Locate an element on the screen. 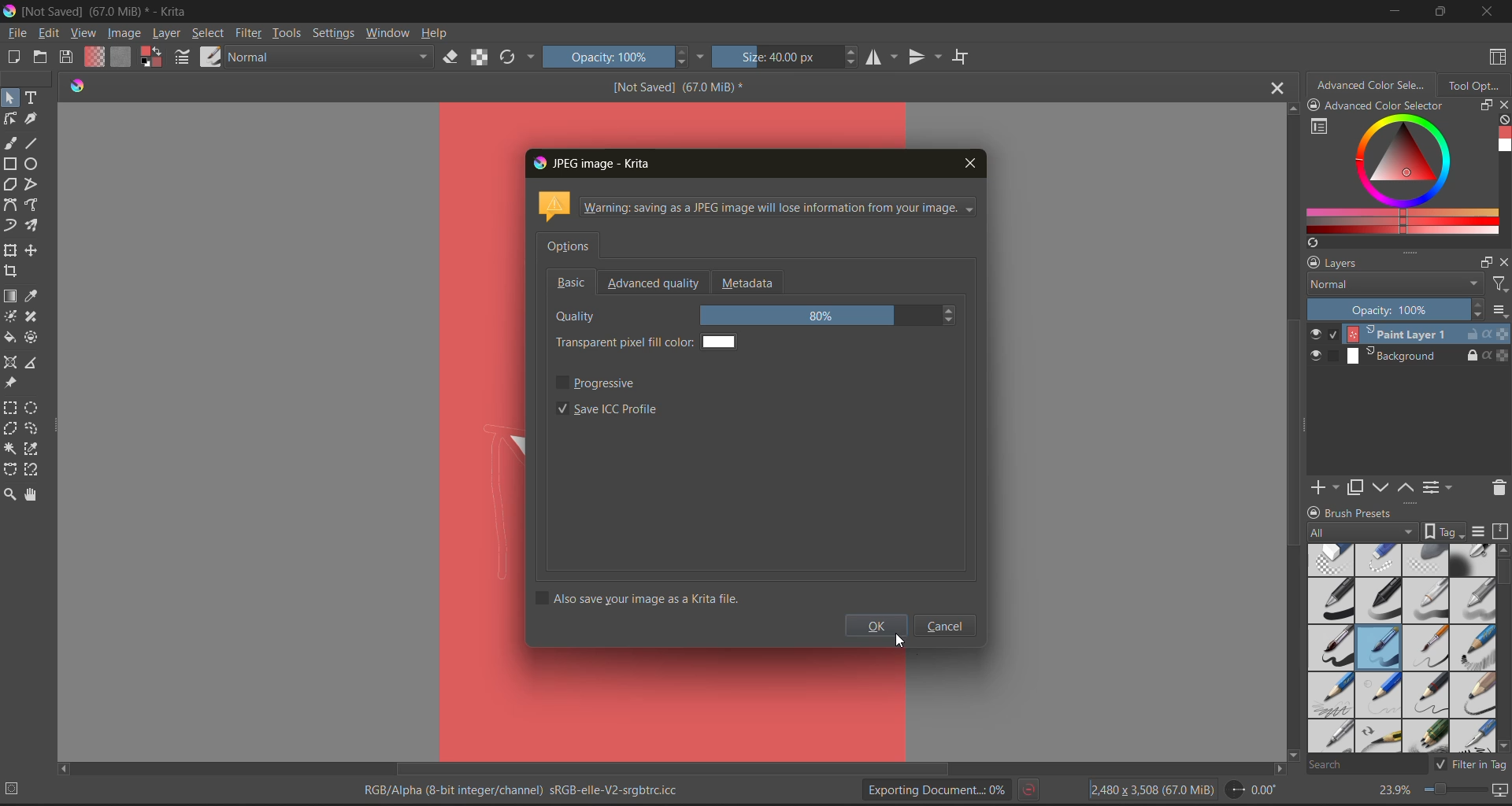 The image size is (1512, 806). normal is located at coordinates (1396, 289).